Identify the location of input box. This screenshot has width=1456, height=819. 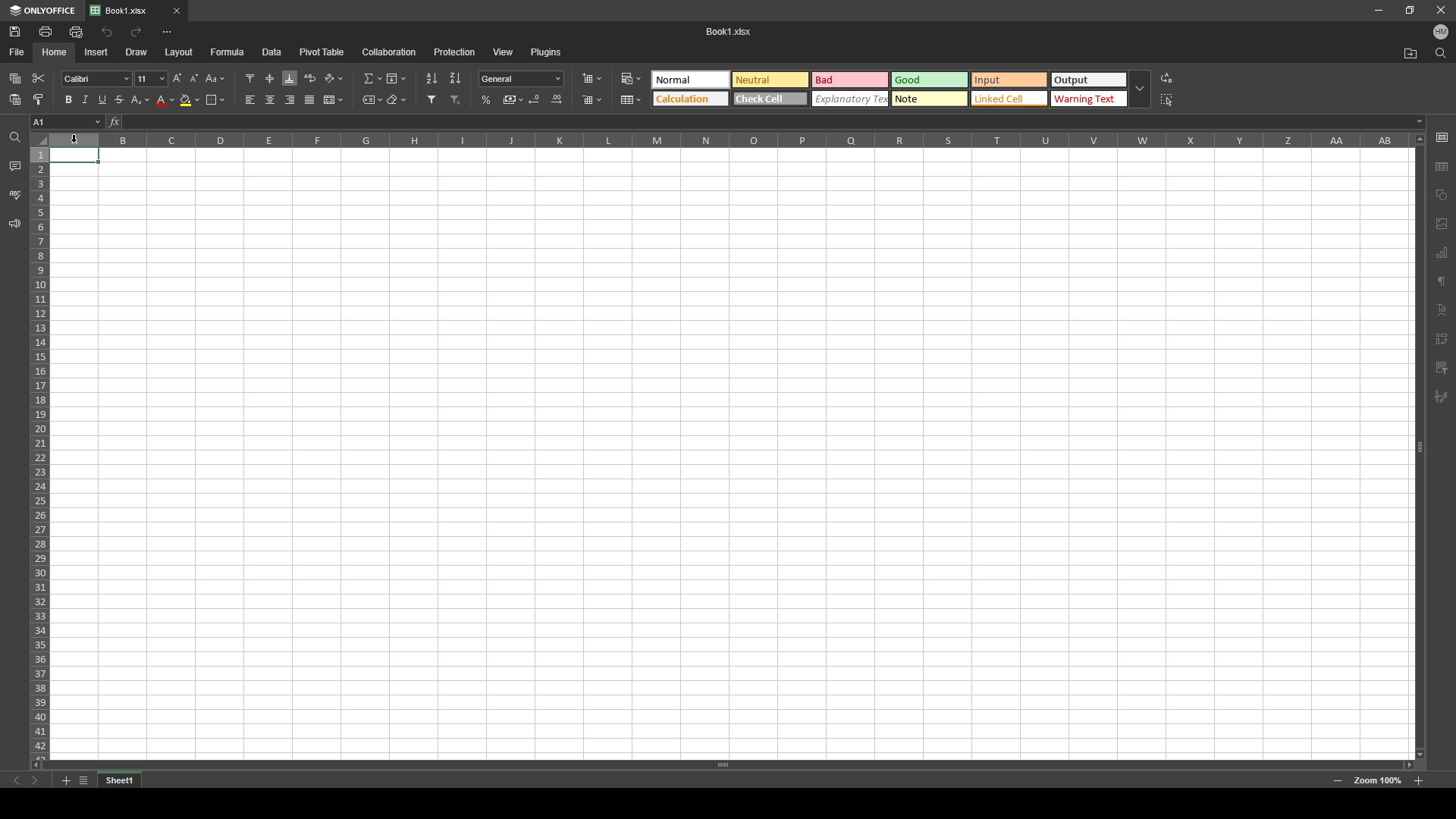
(772, 122).